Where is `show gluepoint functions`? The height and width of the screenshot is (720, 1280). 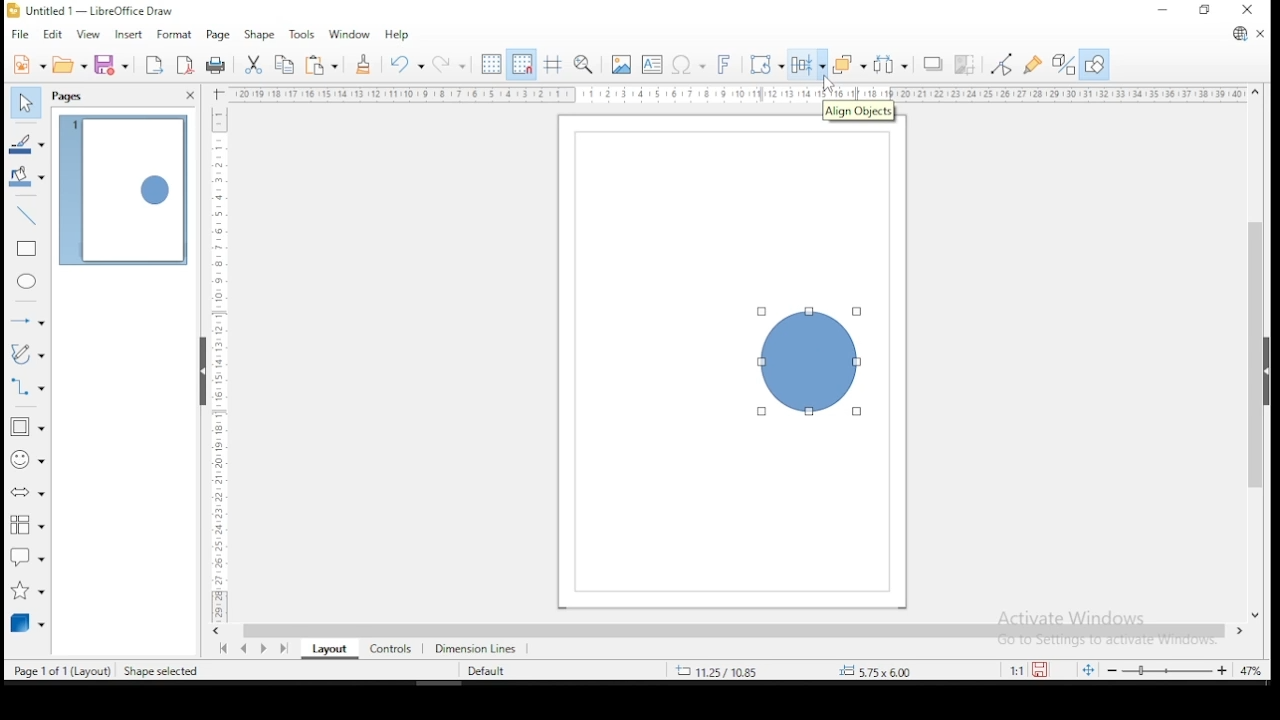 show gluepoint functions is located at coordinates (1033, 66).